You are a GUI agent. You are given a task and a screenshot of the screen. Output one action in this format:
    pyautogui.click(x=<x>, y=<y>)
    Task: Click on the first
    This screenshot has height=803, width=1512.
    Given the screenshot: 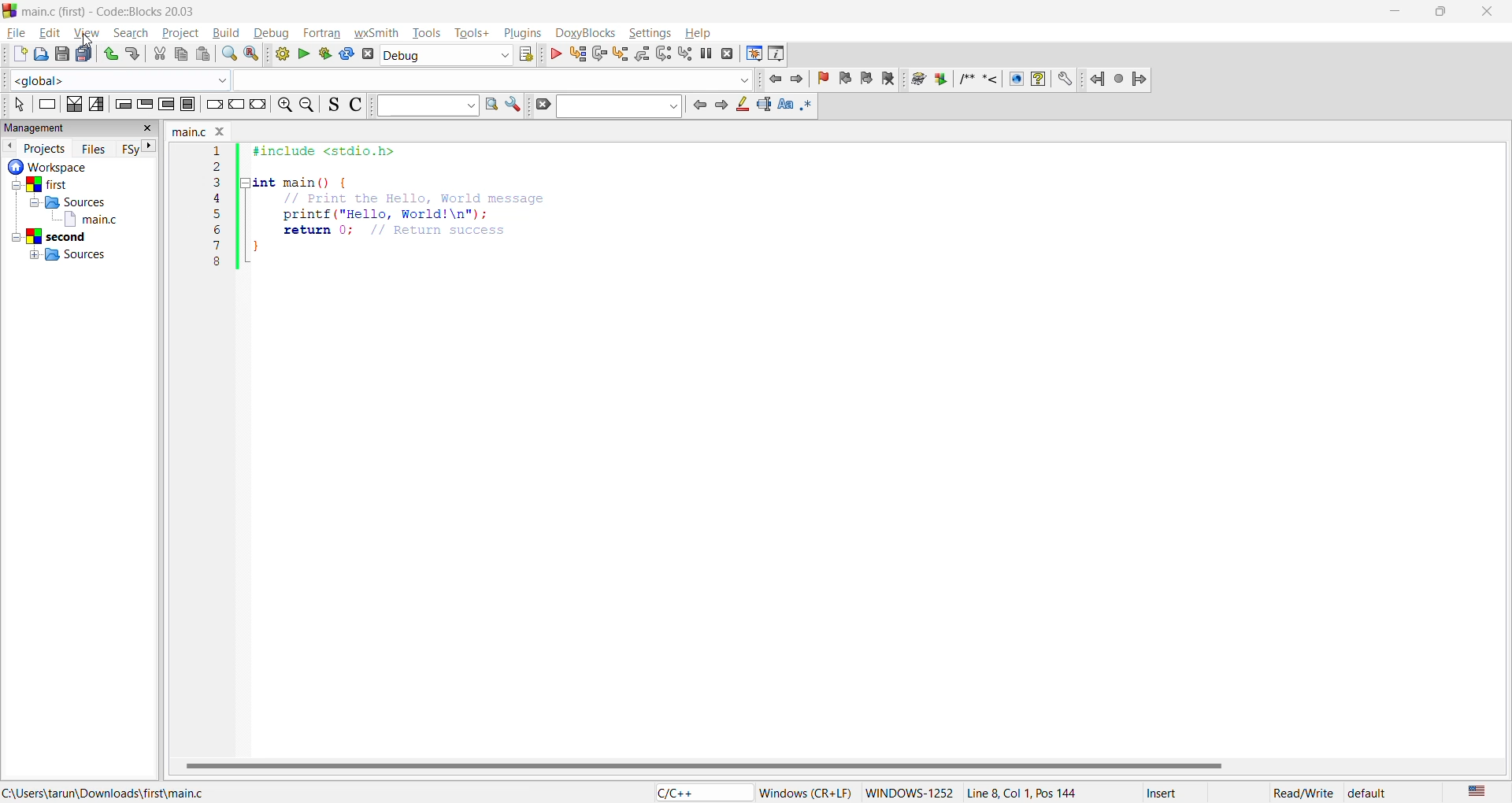 What is the action you would take?
    pyautogui.click(x=46, y=184)
    